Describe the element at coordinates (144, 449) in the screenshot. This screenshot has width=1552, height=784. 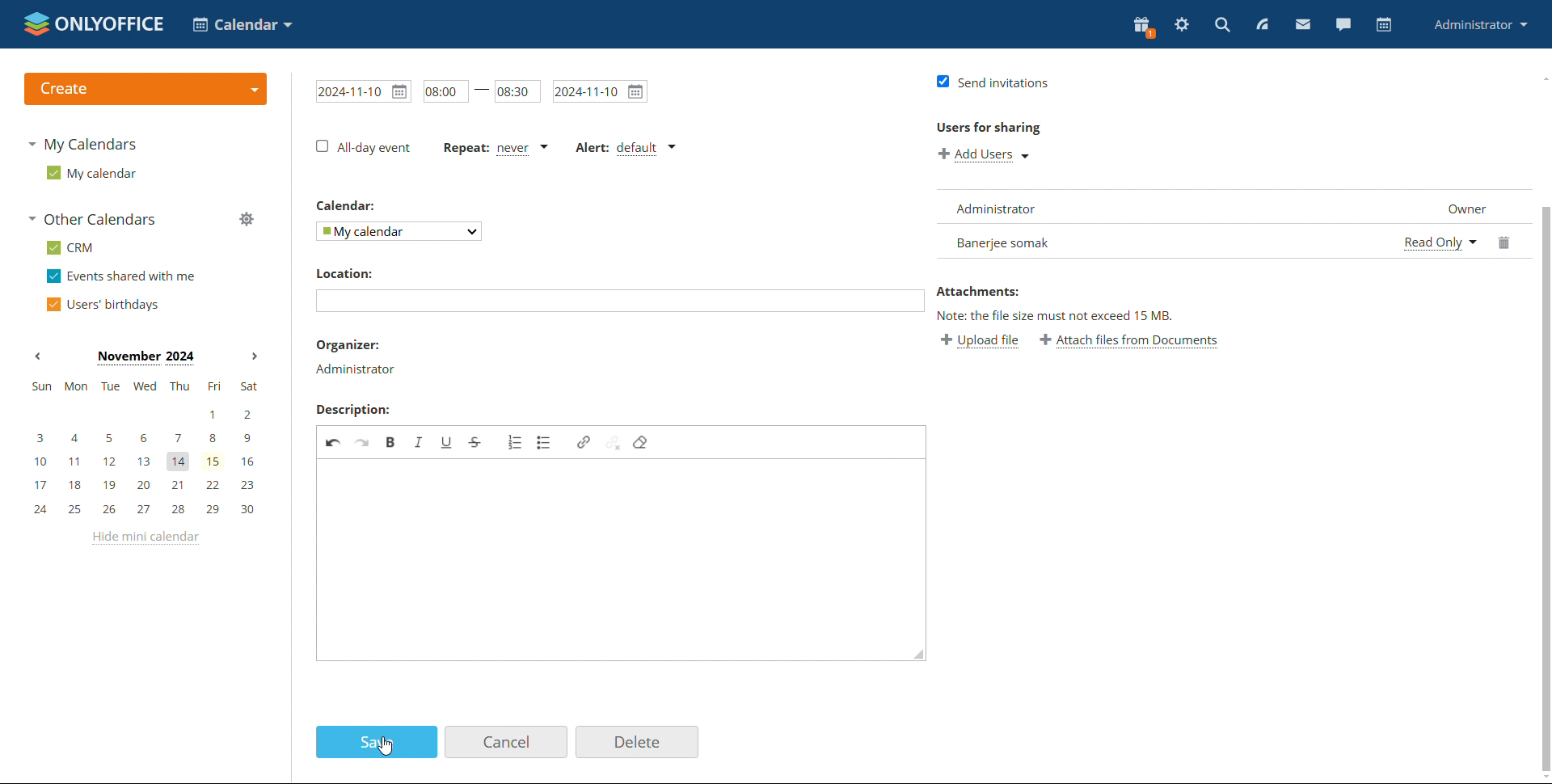
I see `mini calendar` at that location.